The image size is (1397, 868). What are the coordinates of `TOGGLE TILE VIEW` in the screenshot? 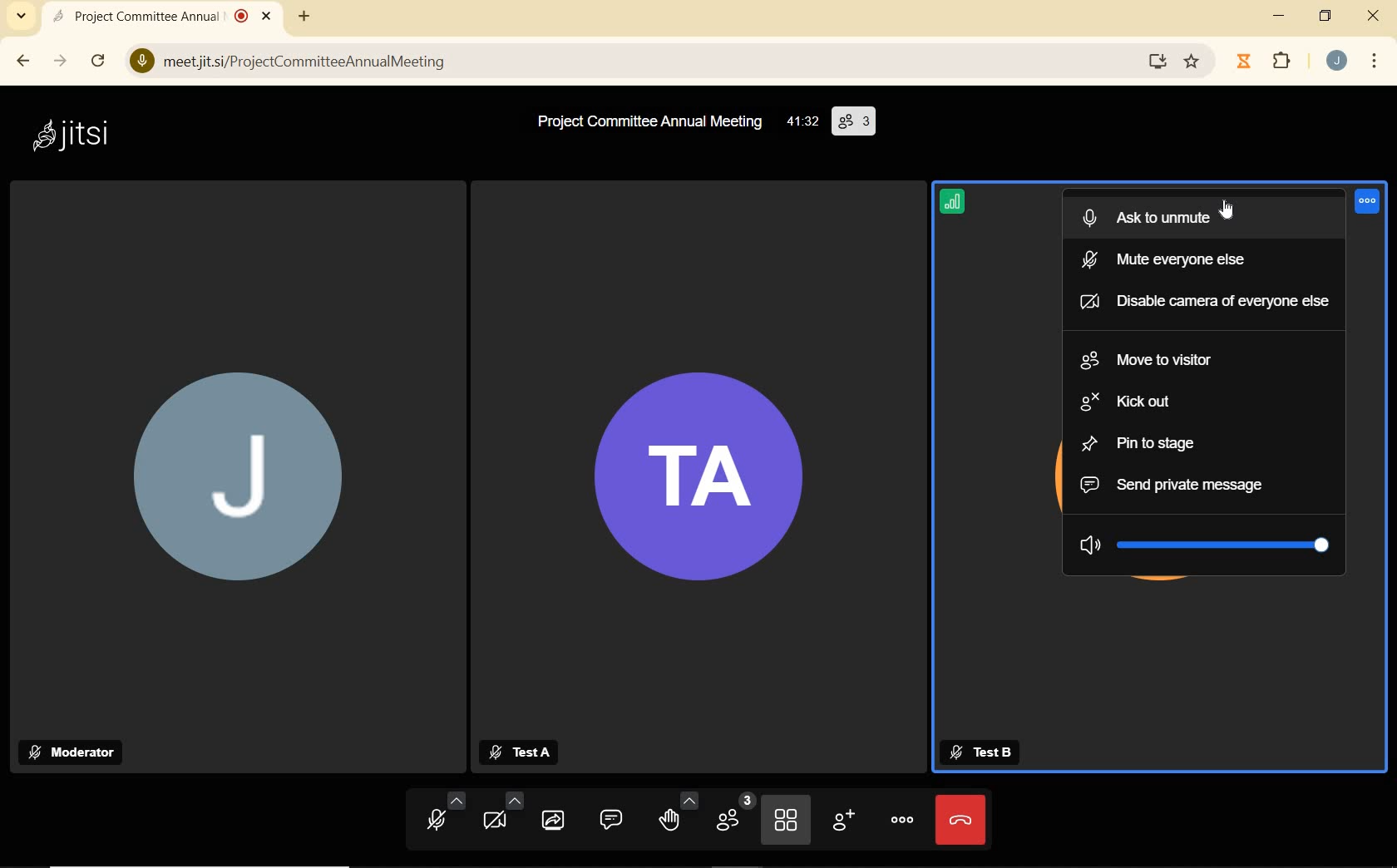 It's located at (787, 820).